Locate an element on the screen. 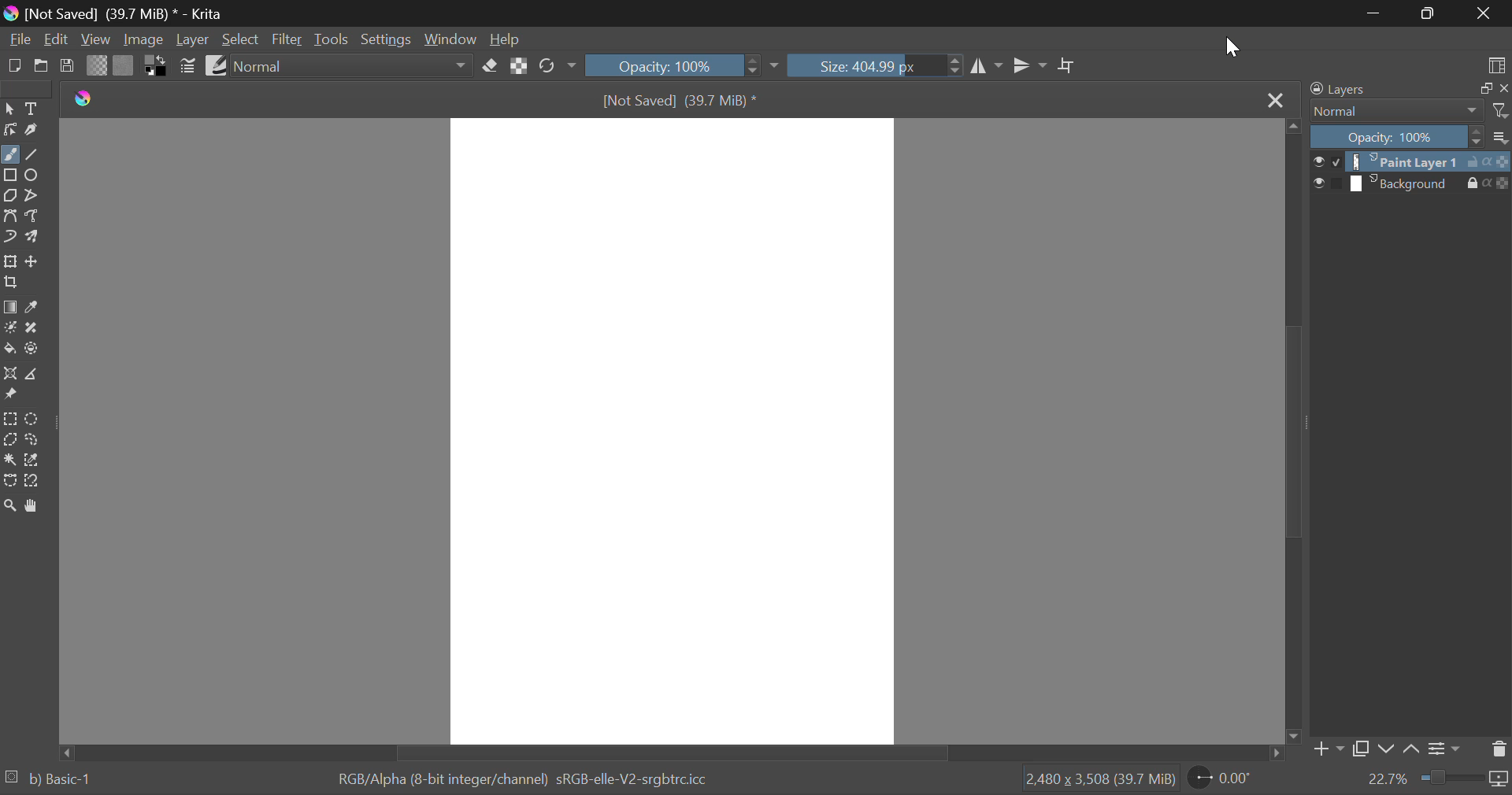  Opacity is located at coordinates (1410, 138).